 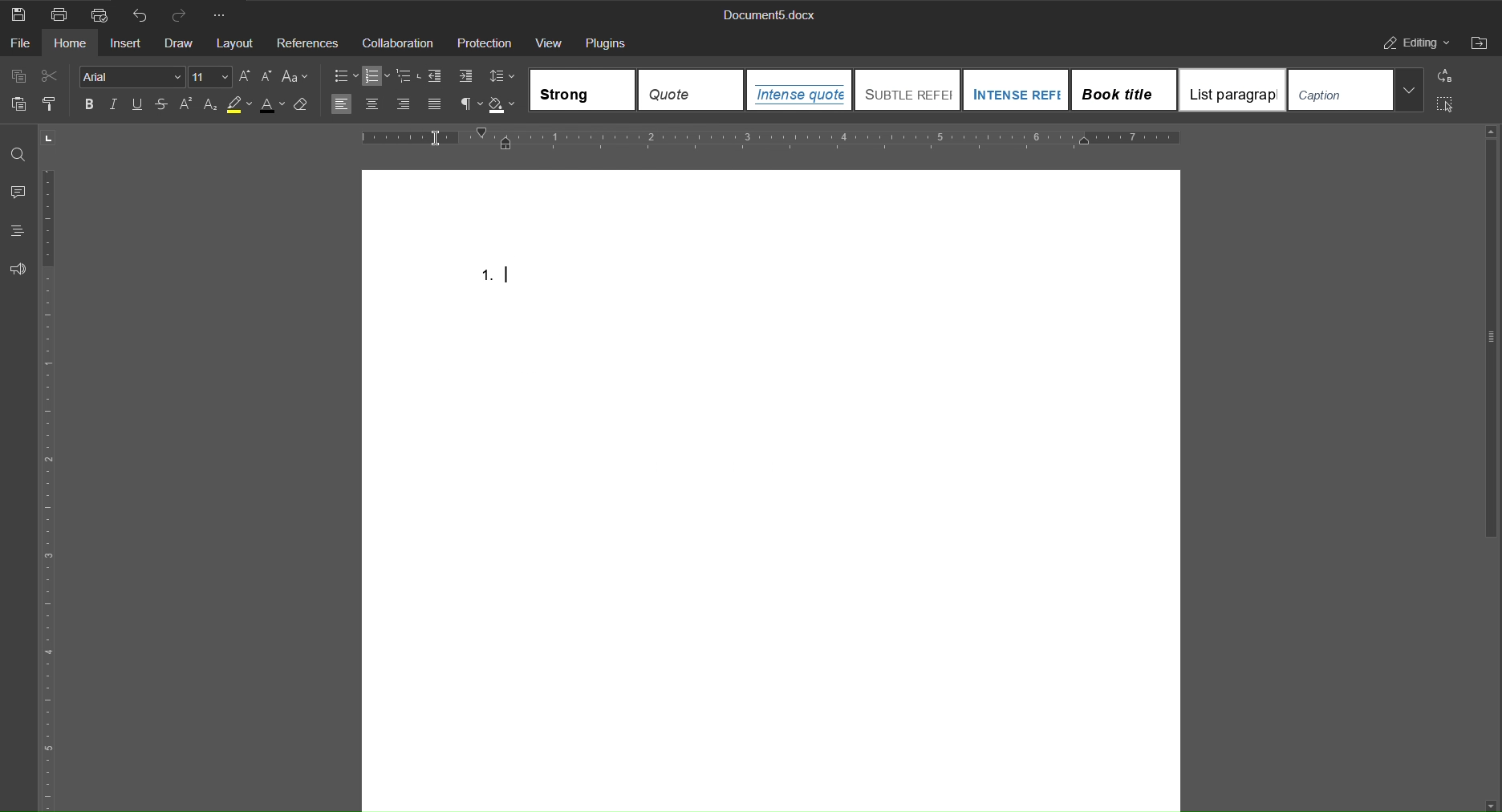 I want to click on Font size, so click(x=211, y=77).